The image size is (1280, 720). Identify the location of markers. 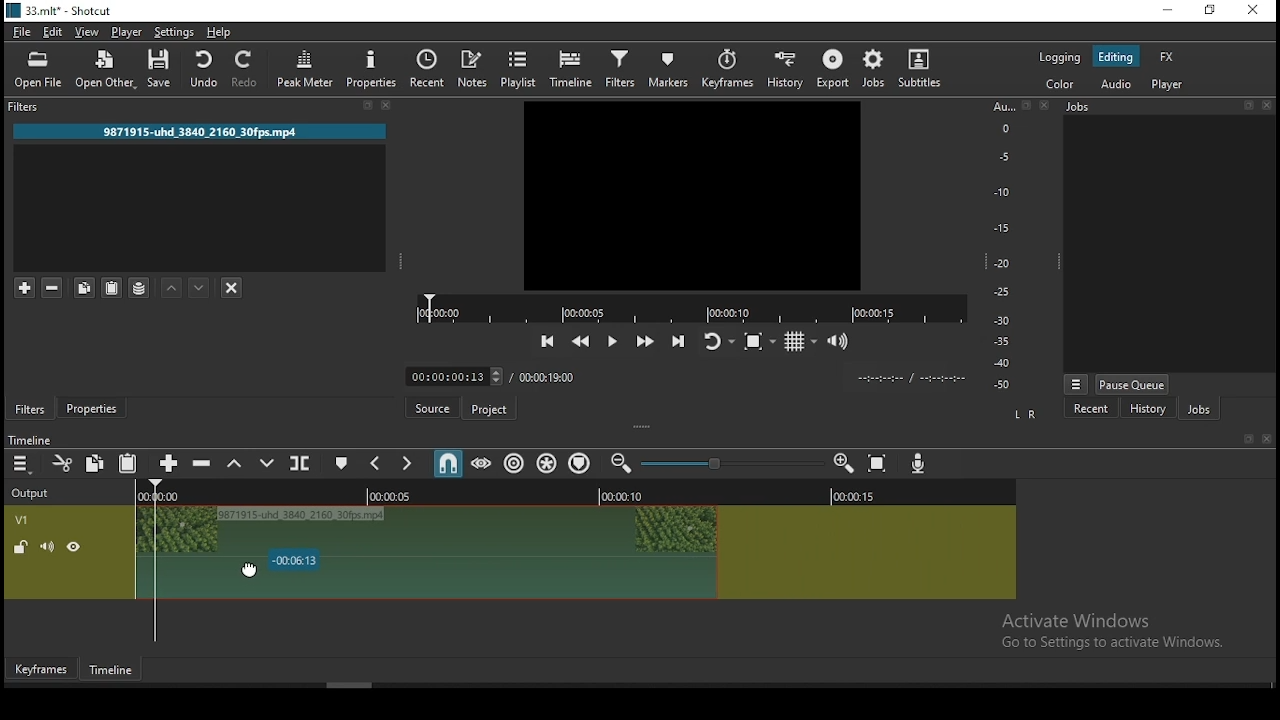
(670, 68).